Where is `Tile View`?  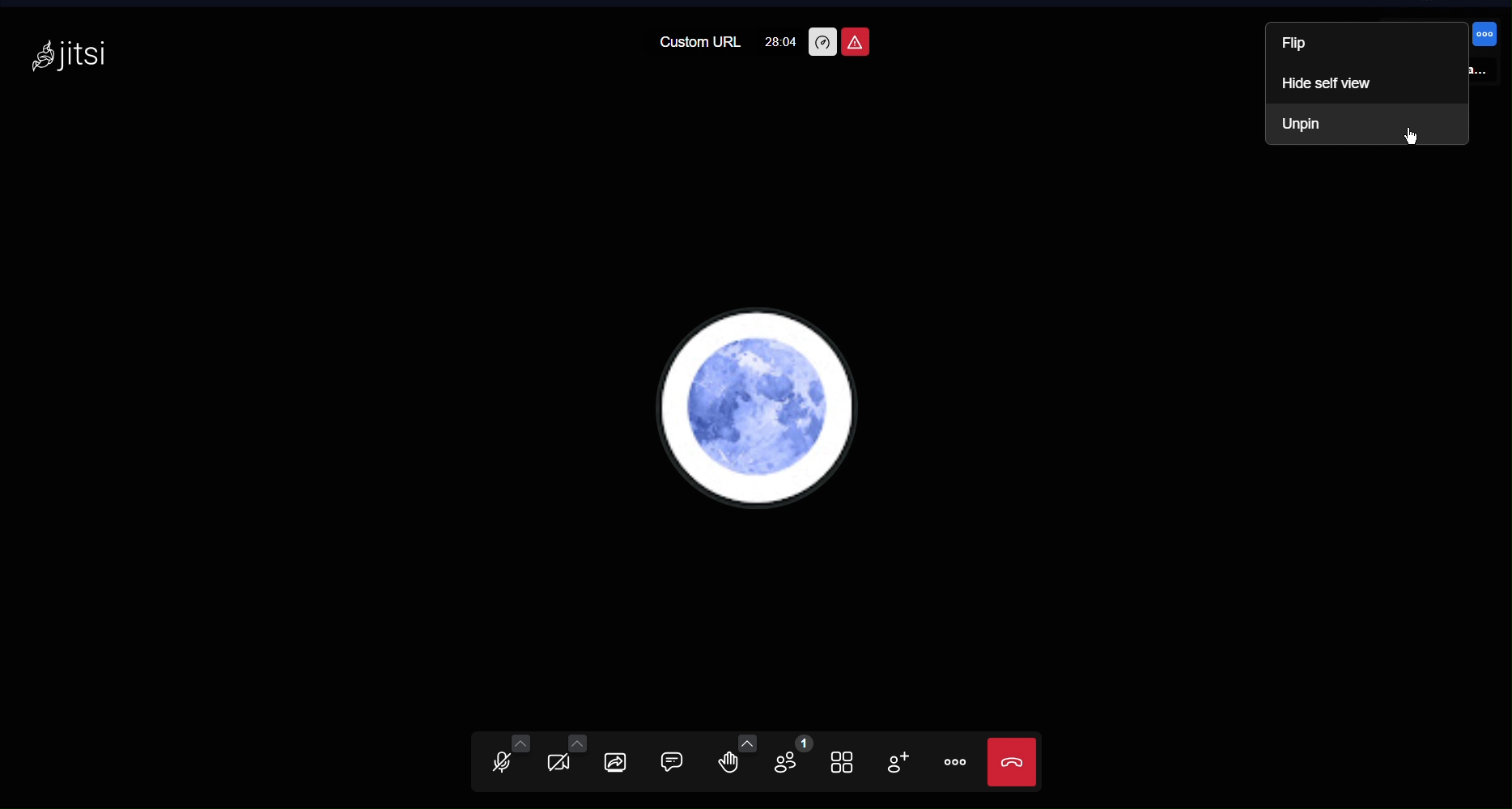
Tile View is located at coordinates (849, 760).